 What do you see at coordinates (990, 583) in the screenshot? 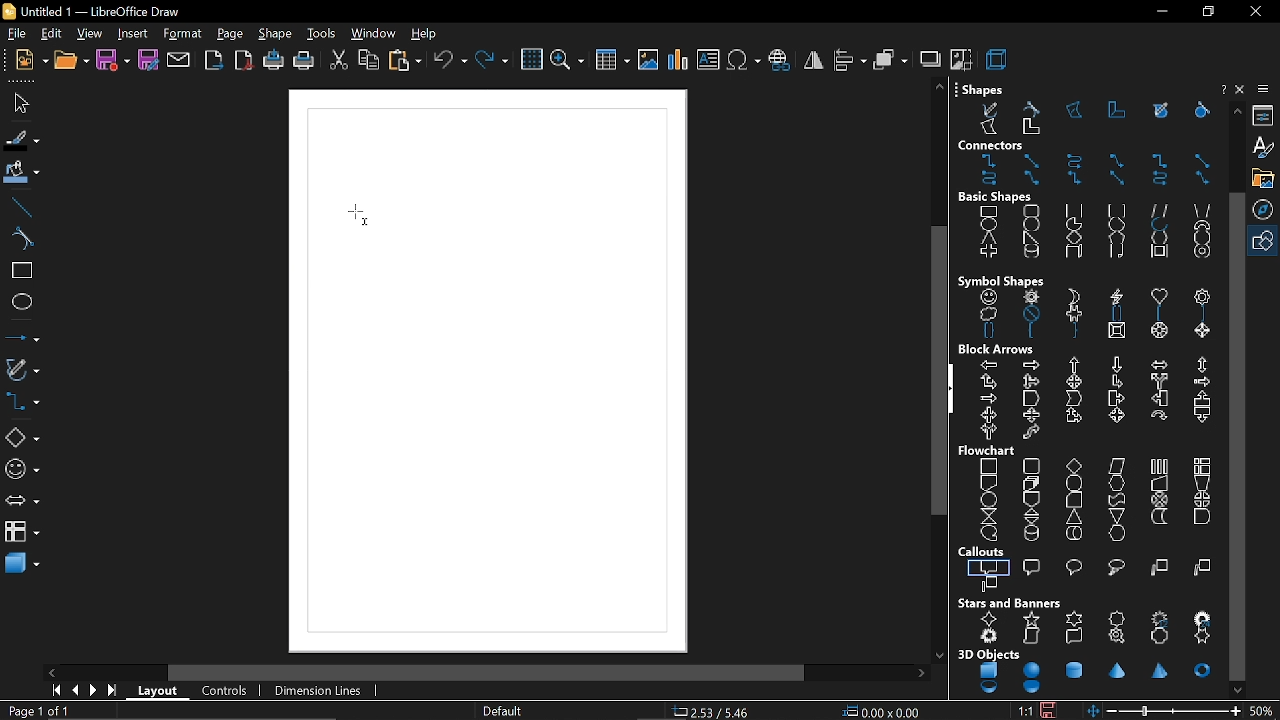
I see `line 3` at bounding box center [990, 583].